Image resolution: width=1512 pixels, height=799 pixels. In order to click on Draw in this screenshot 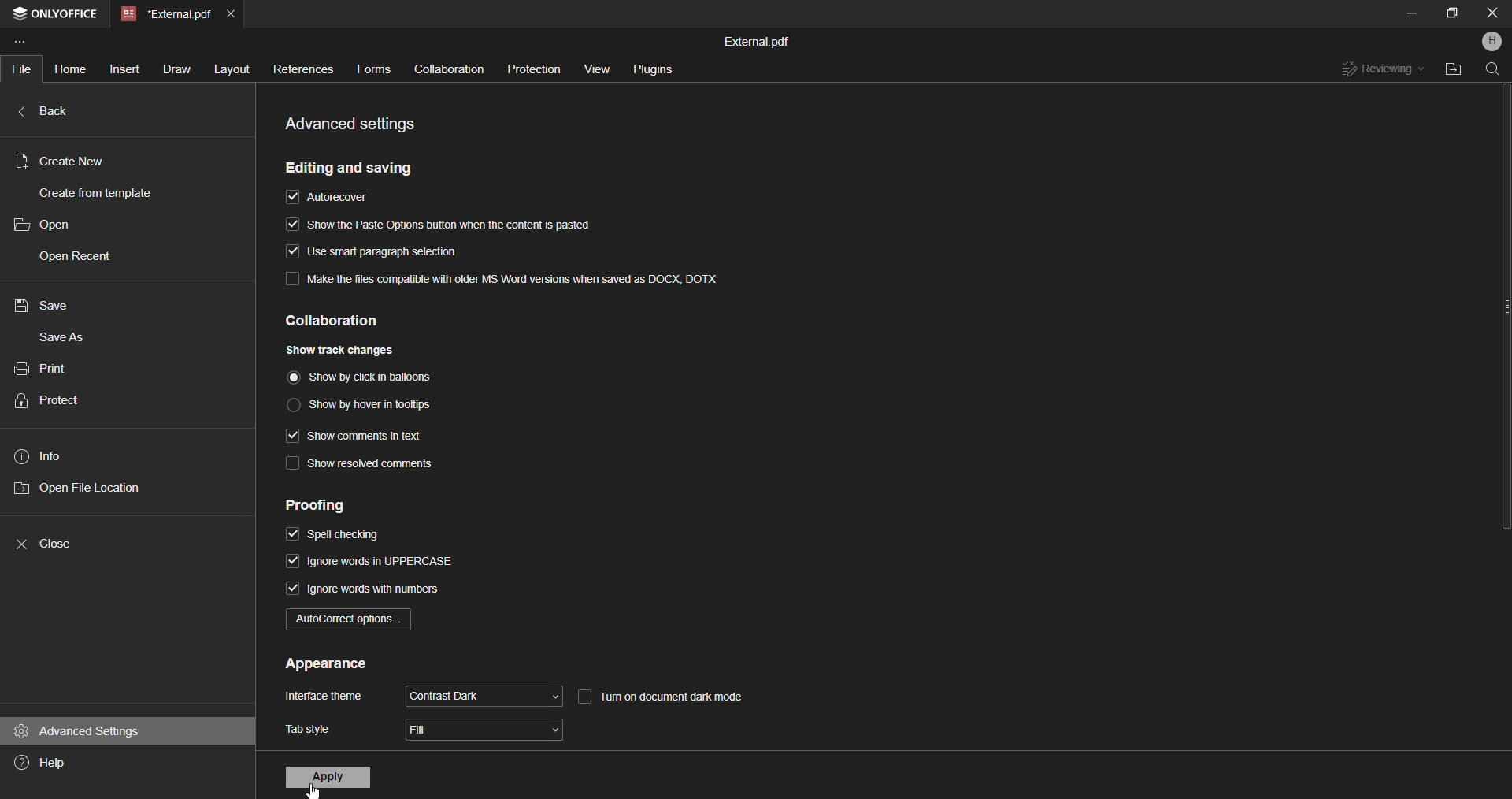, I will do `click(175, 70)`.